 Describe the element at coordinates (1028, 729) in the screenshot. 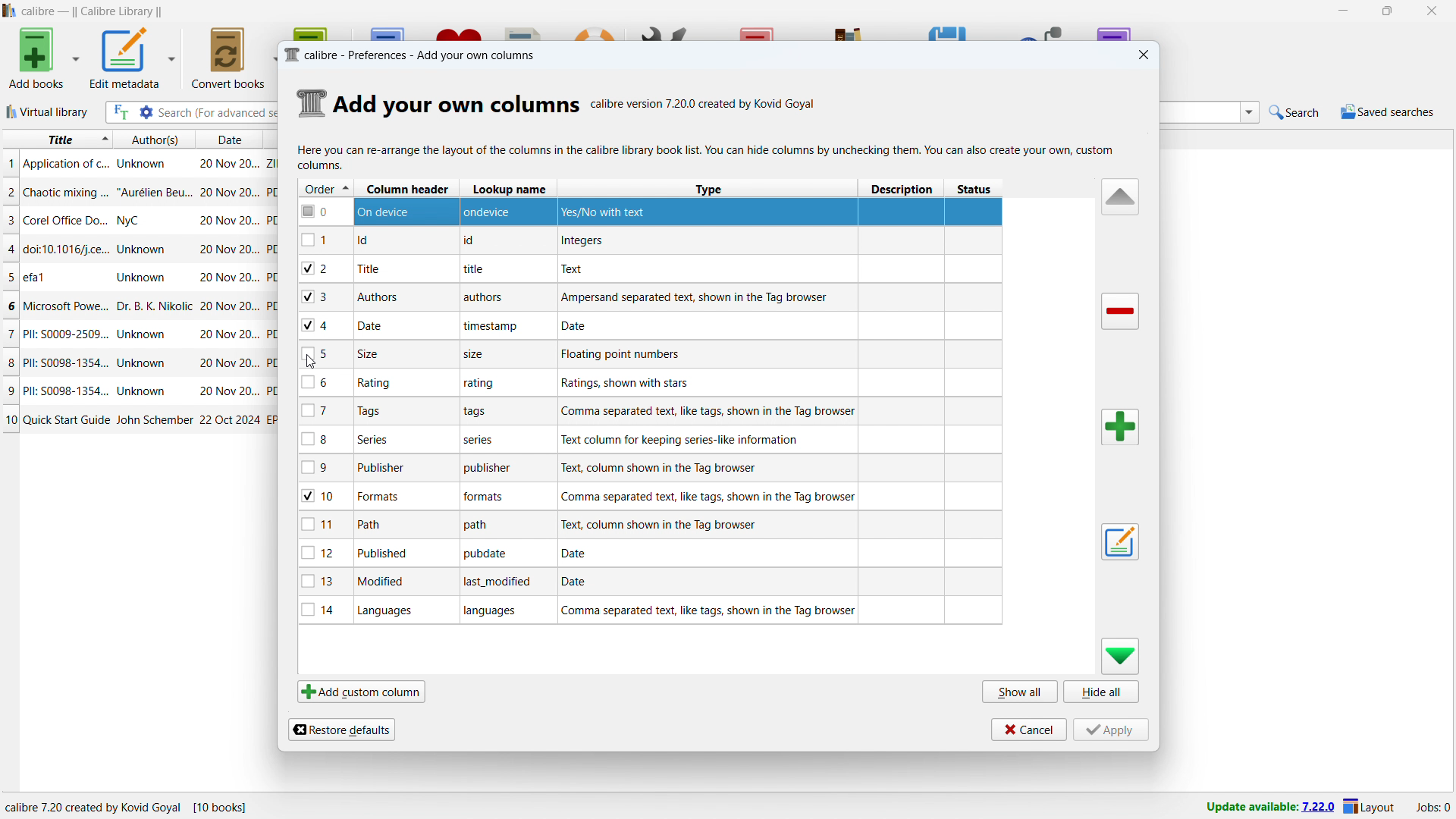

I see `cancel` at that location.